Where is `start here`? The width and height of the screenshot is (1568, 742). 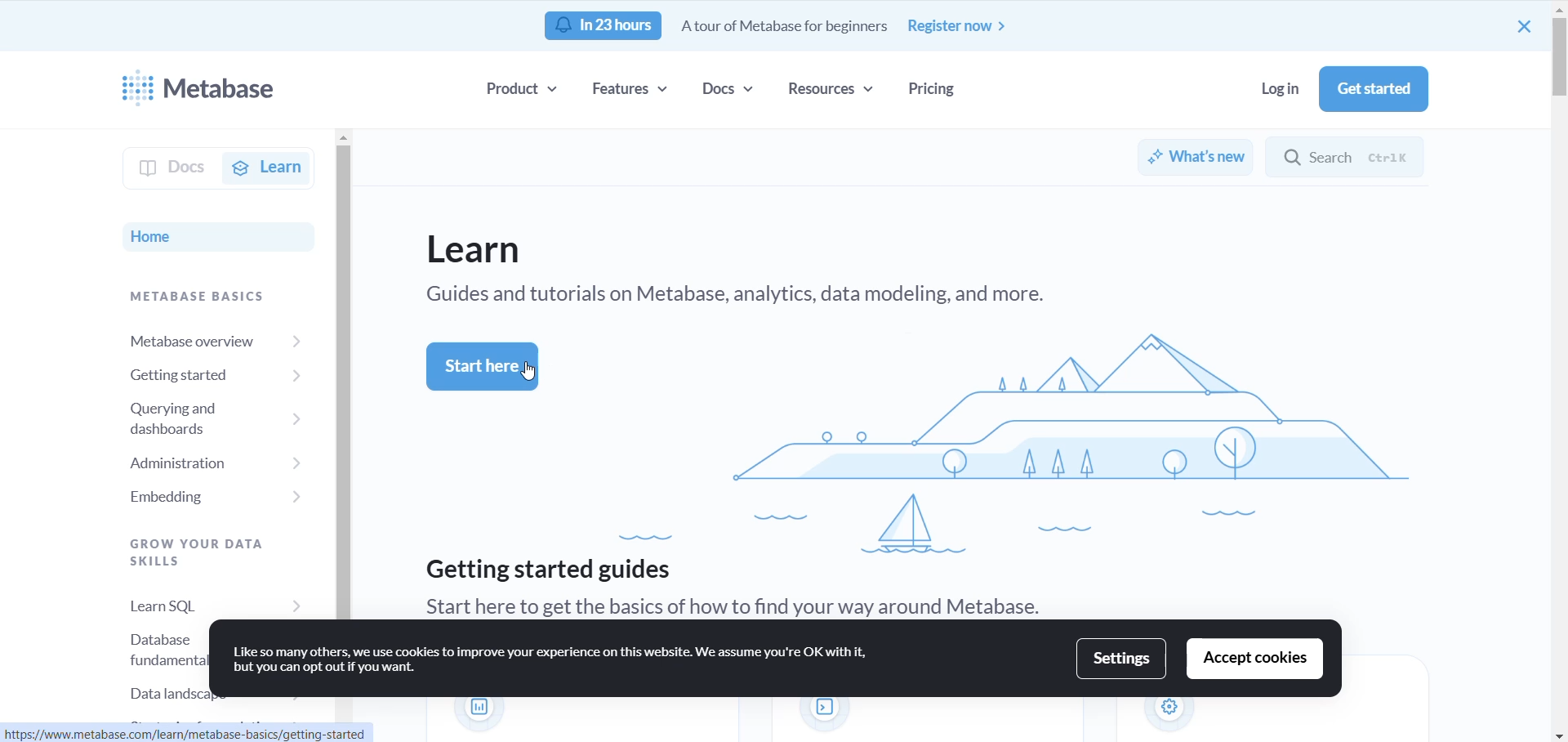
start here is located at coordinates (483, 367).